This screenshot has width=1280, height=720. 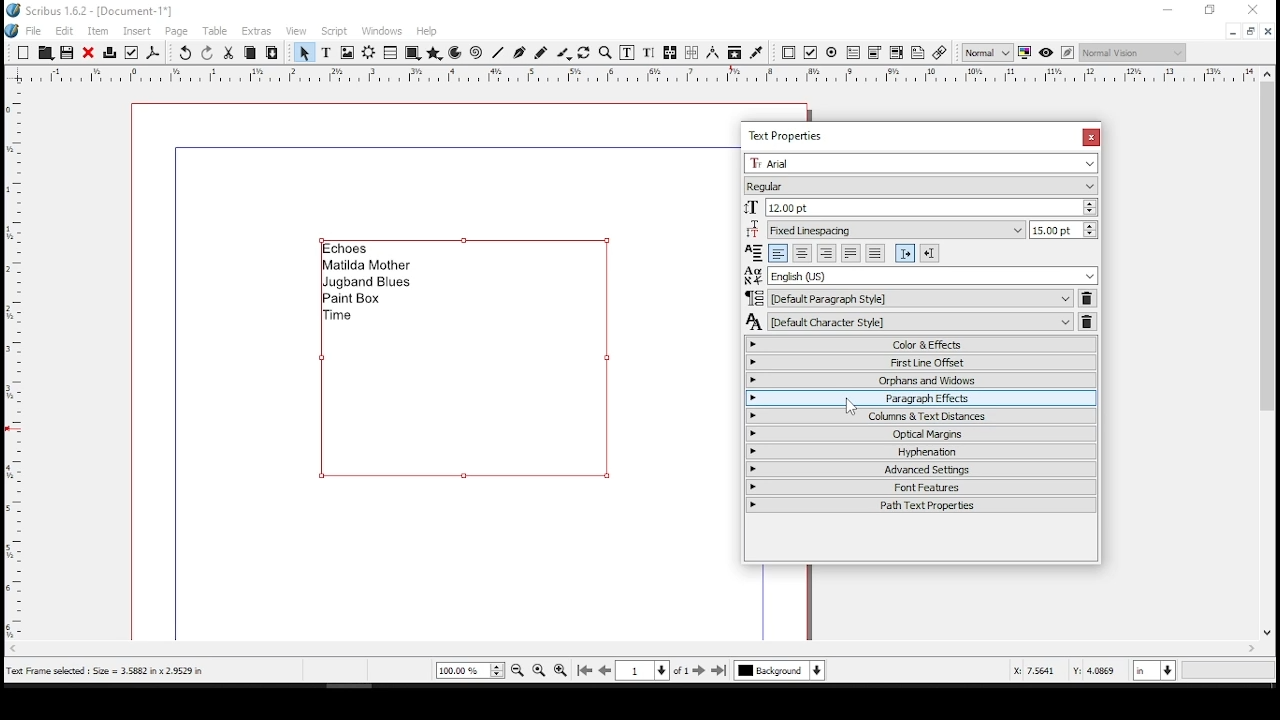 What do you see at coordinates (1070, 53) in the screenshot?
I see `edit in preview mode` at bounding box center [1070, 53].